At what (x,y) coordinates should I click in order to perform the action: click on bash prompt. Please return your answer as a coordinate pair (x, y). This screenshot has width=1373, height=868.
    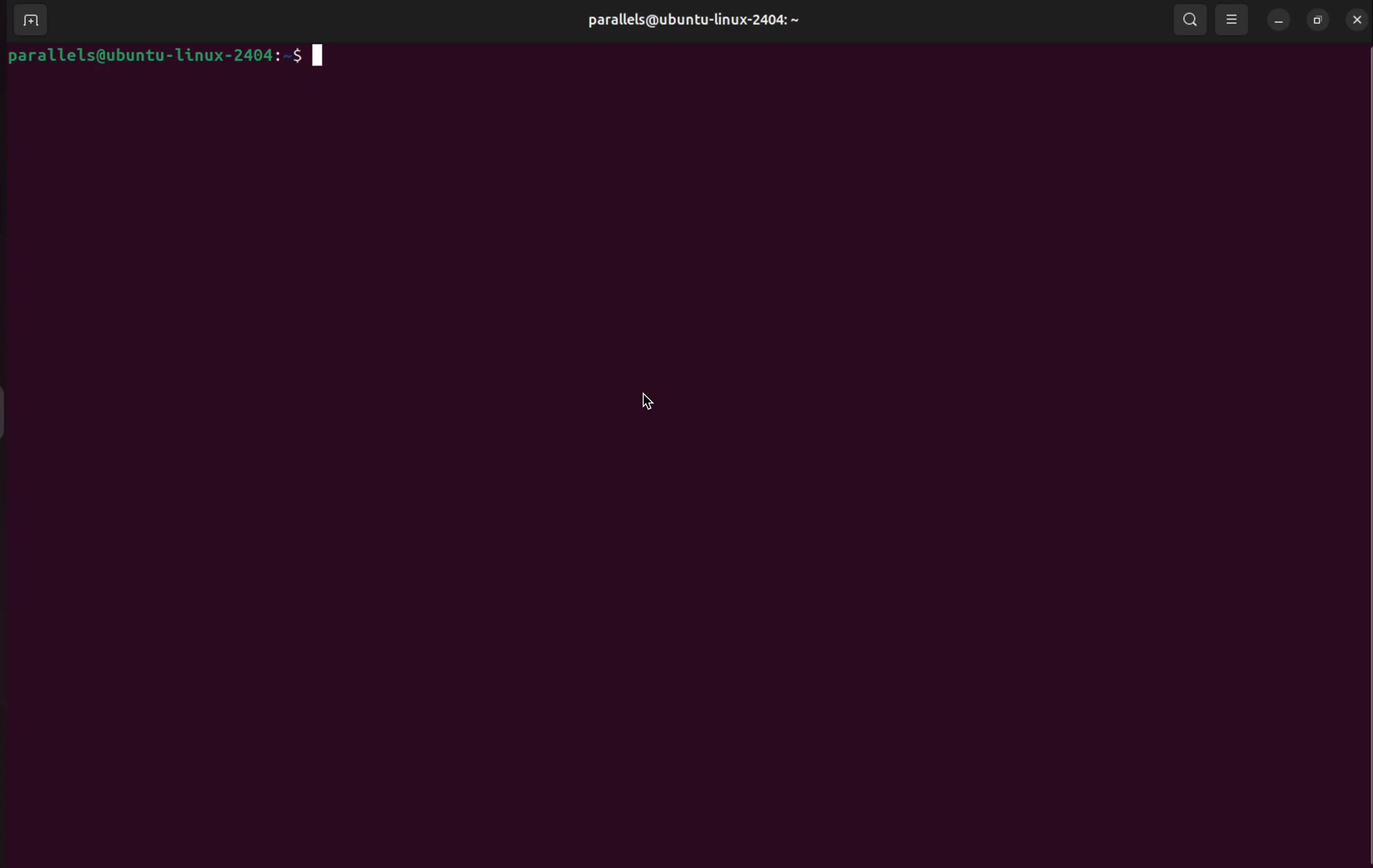
    Looking at the image, I should click on (152, 56).